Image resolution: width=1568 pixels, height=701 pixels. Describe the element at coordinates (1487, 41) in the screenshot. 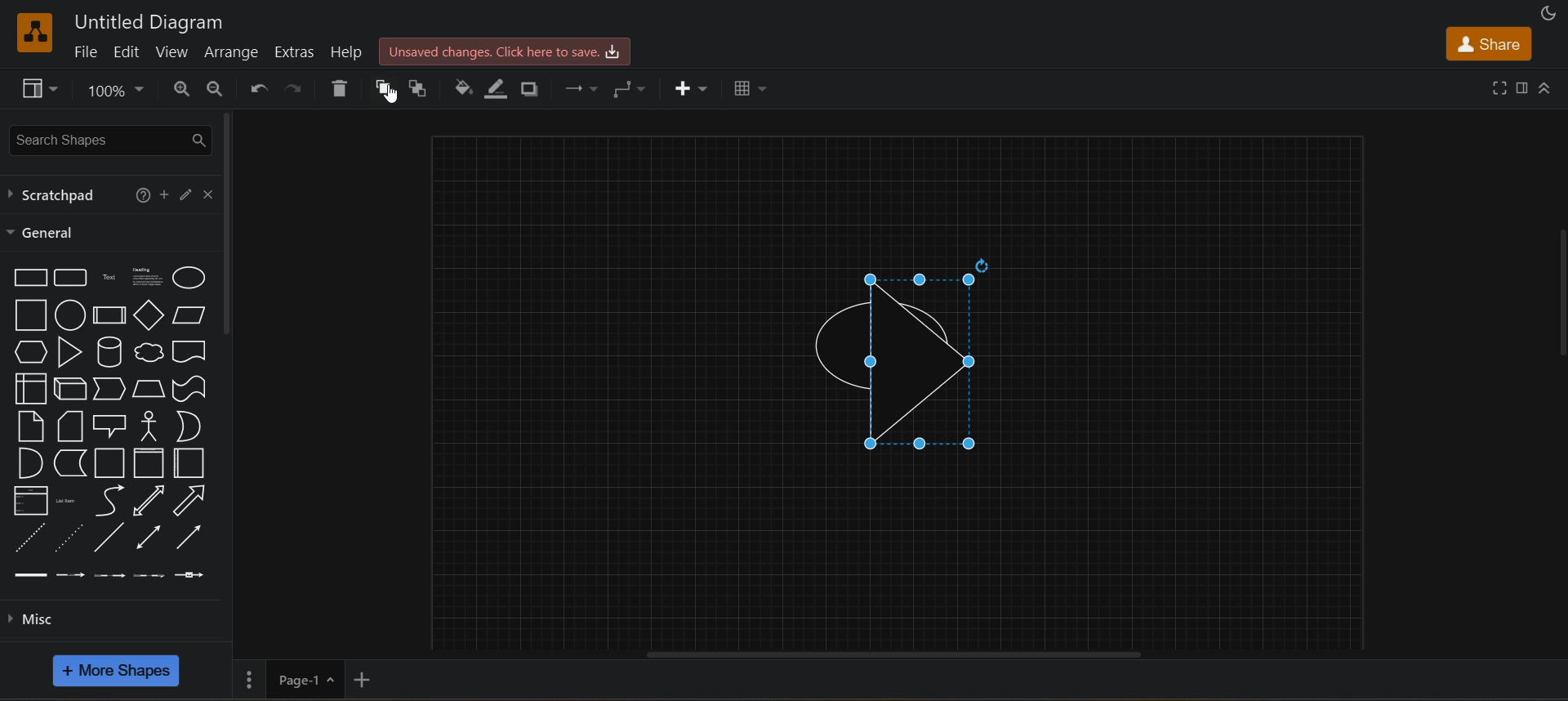

I see `share` at that location.